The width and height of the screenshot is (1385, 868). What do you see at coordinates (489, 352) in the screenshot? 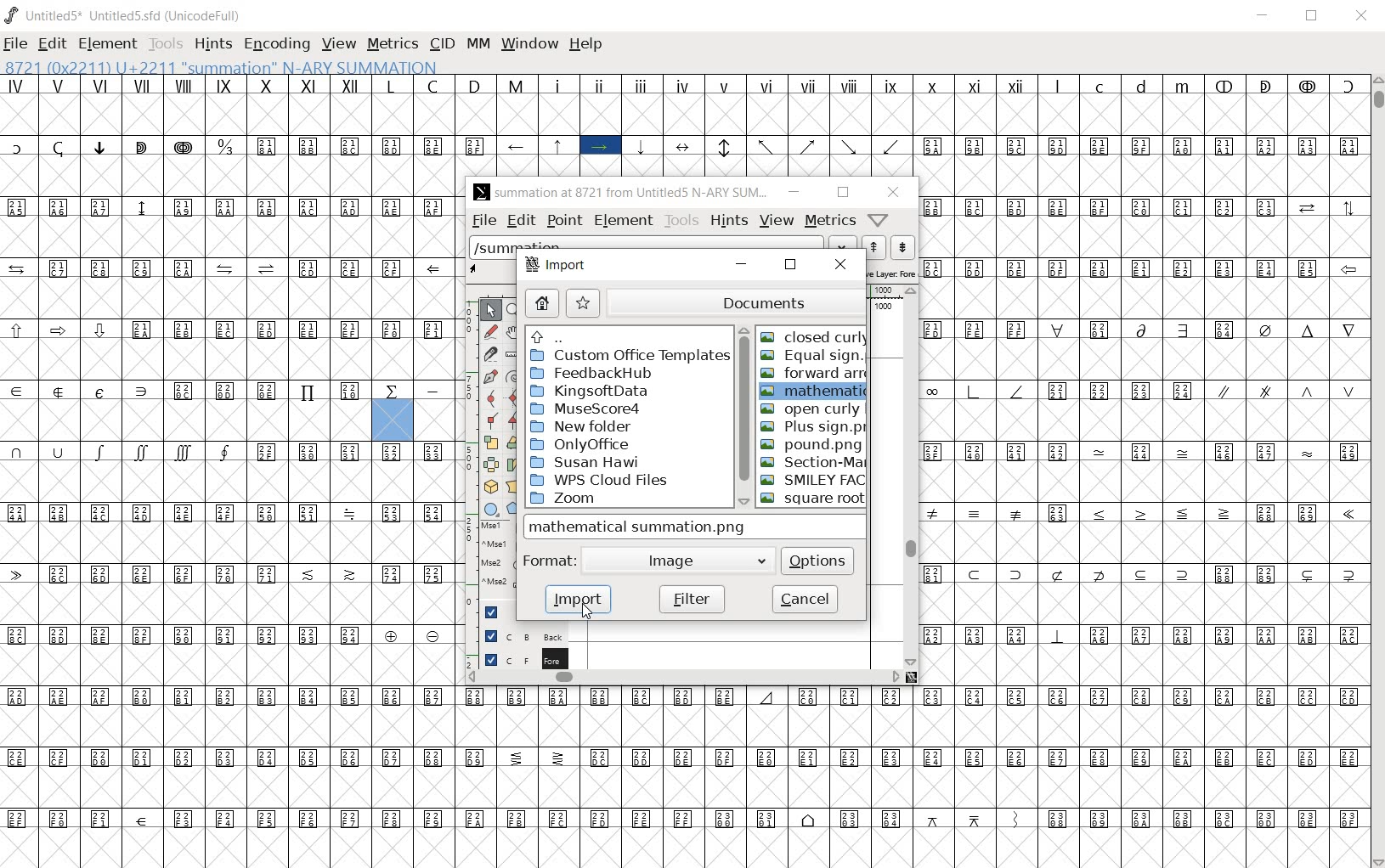
I see `cut splines in two` at bounding box center [489, 352].